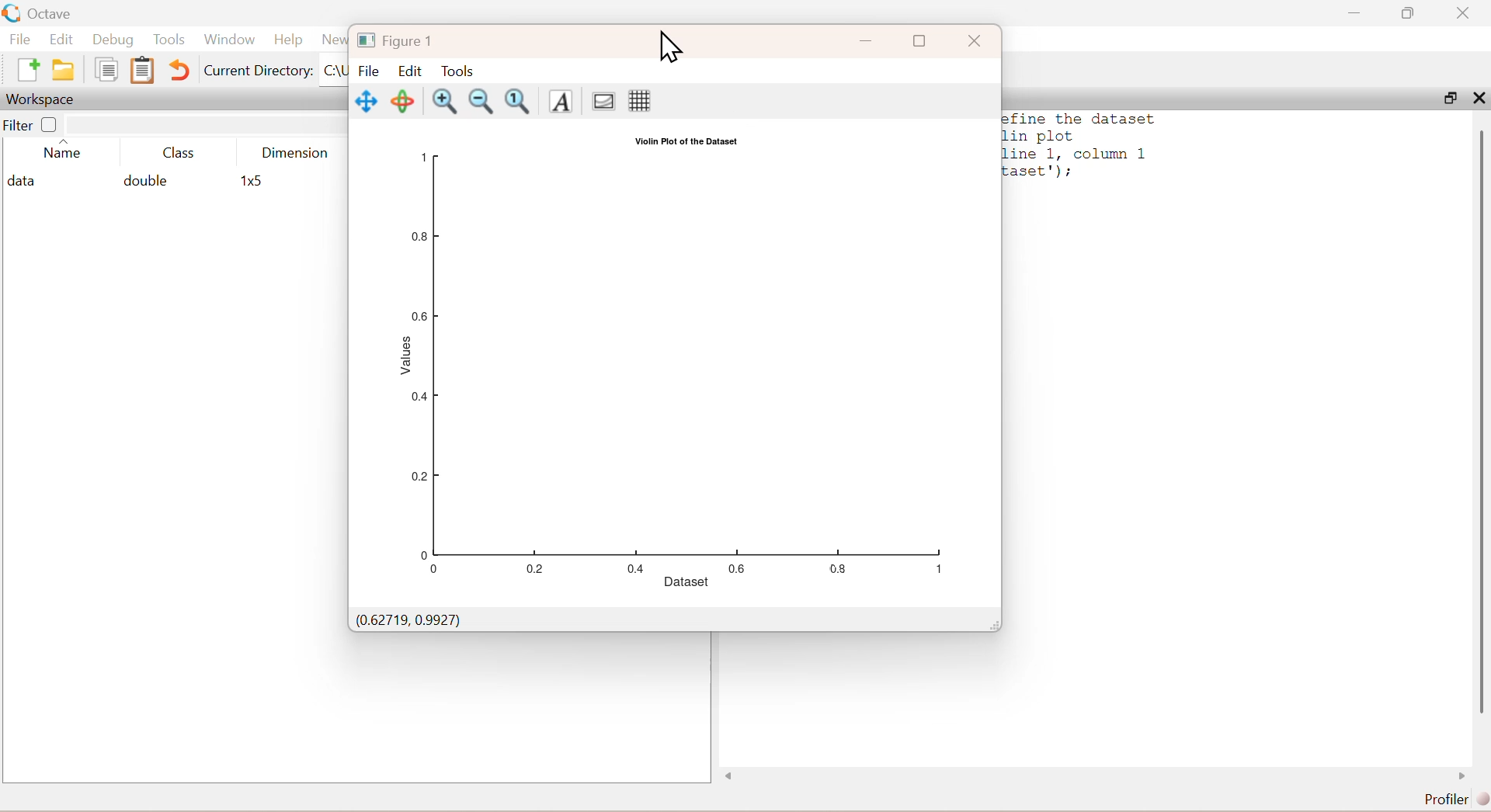 This screenshot has width=1491, height=812. What do you see at coordinates (40, 100) in the screenshot?
I see `Workspace` at bounding box center [40, 100].